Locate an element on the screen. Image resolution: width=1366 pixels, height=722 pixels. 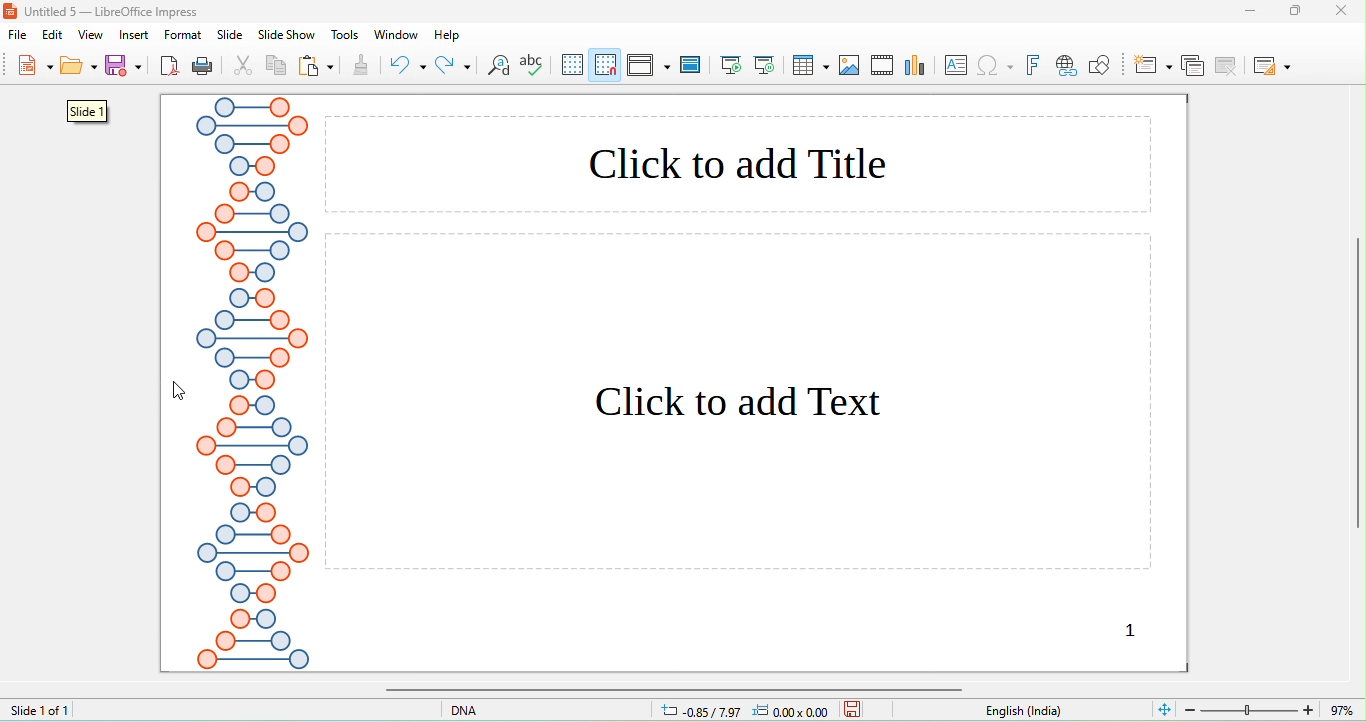
slide1 dialog box is located at coordinates (84, 112).